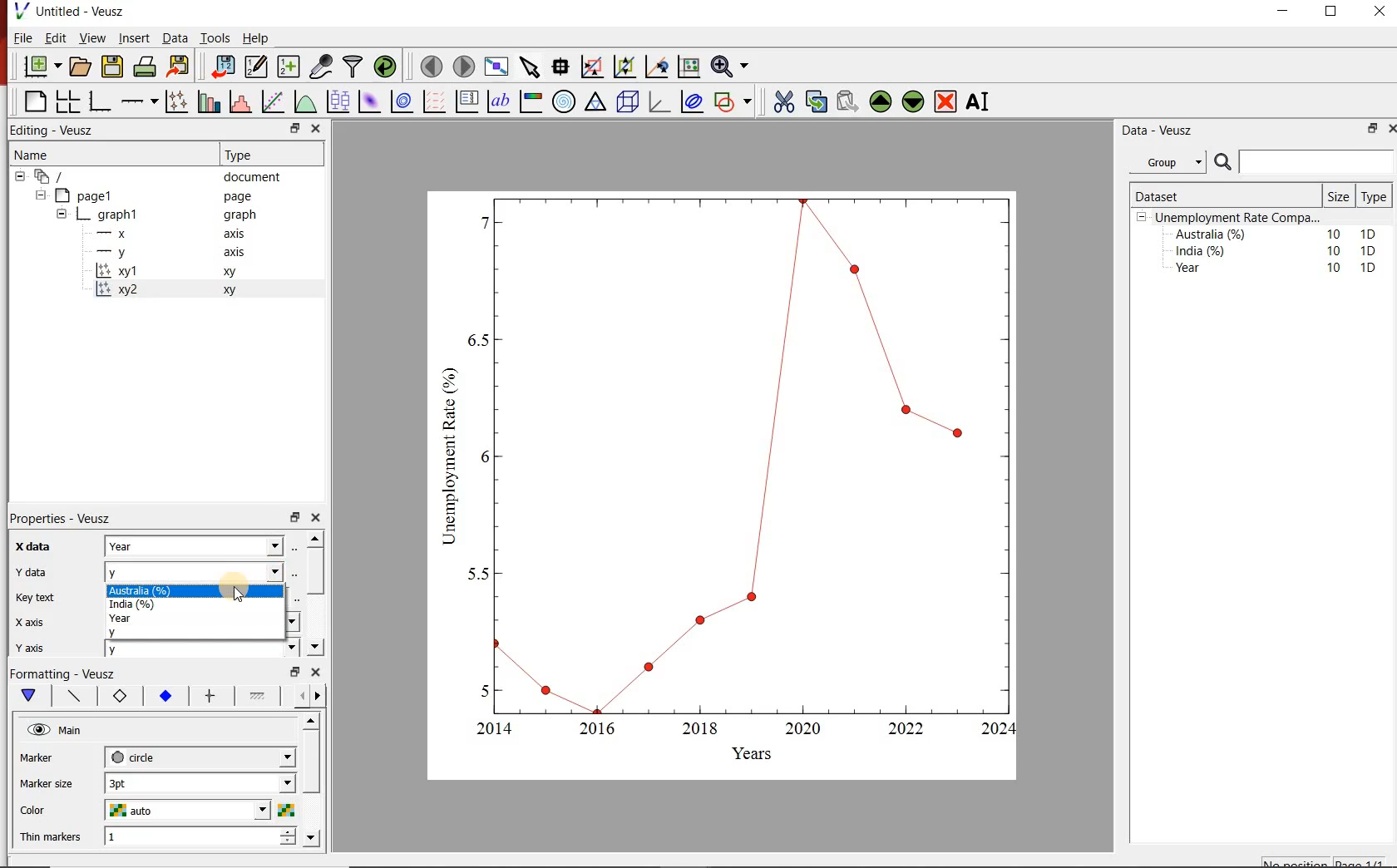  Describe the element at coordinates (272, 101) in the screenshot. I see `fit a function` at that location.